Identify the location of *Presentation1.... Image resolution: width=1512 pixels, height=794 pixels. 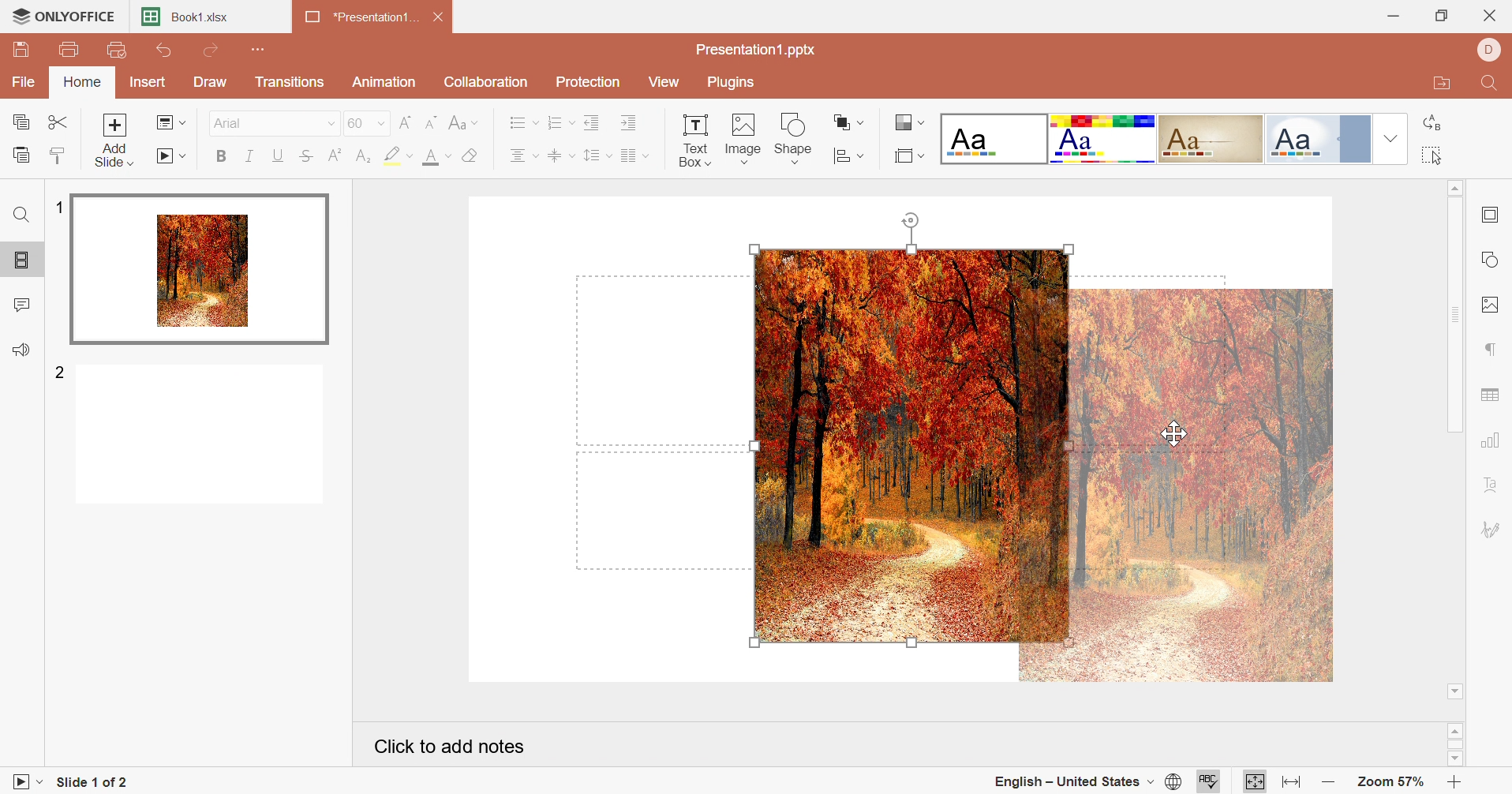
(362, 18).